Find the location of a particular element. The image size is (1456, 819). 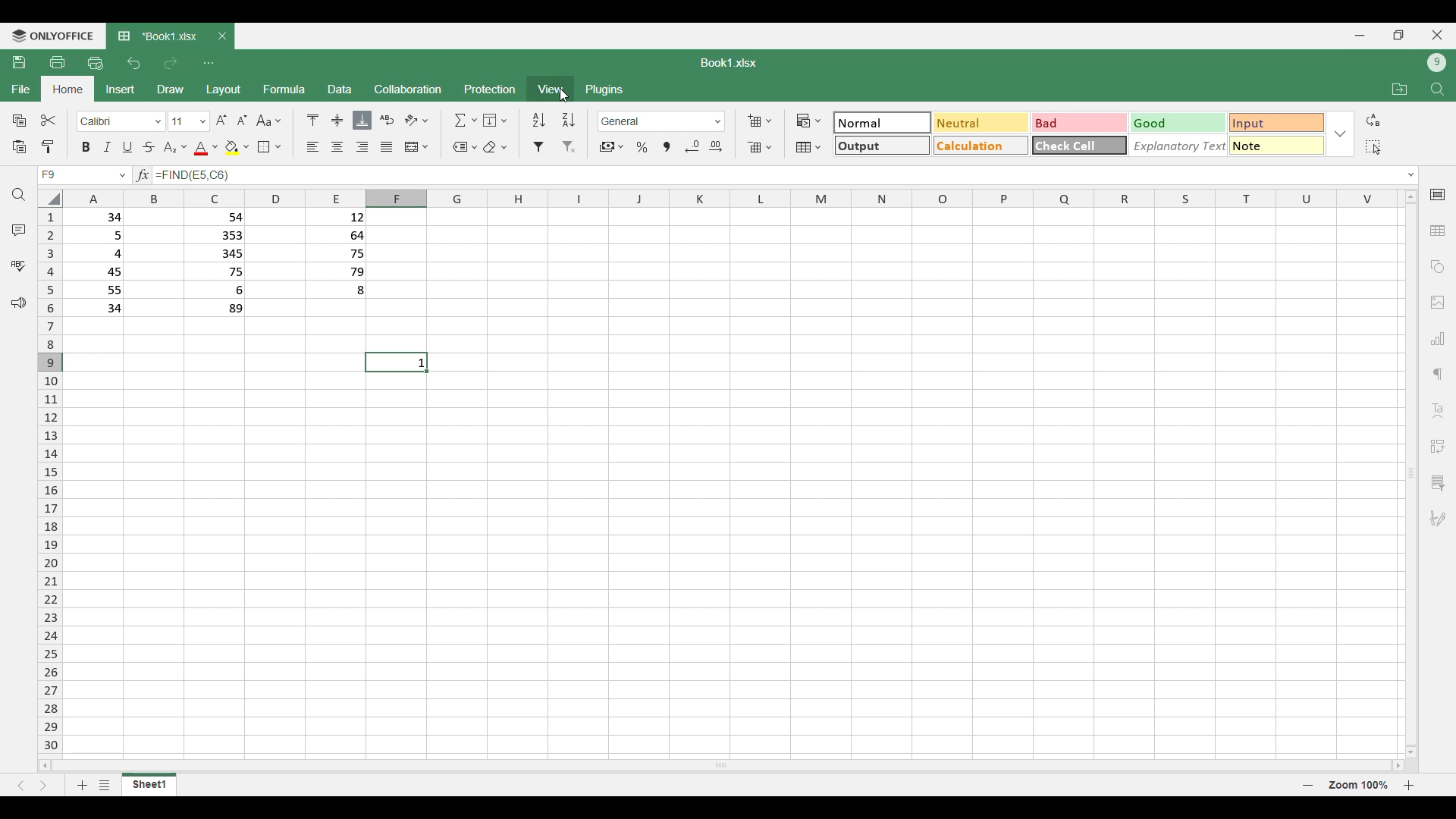

Mark cell bad is located at coordinates (1080, 123).